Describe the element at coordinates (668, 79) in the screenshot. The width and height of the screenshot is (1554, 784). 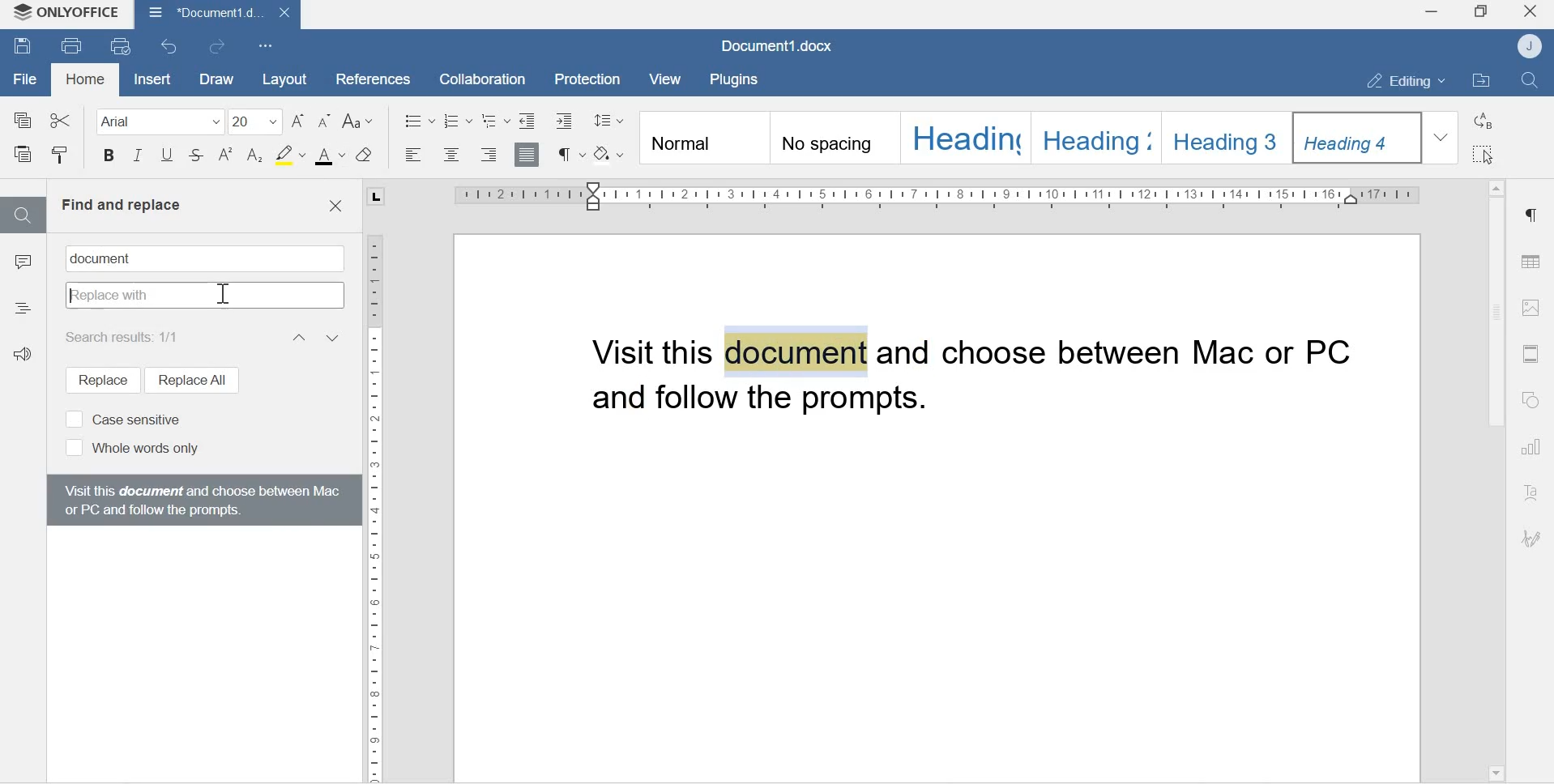
I see `View` at that location.